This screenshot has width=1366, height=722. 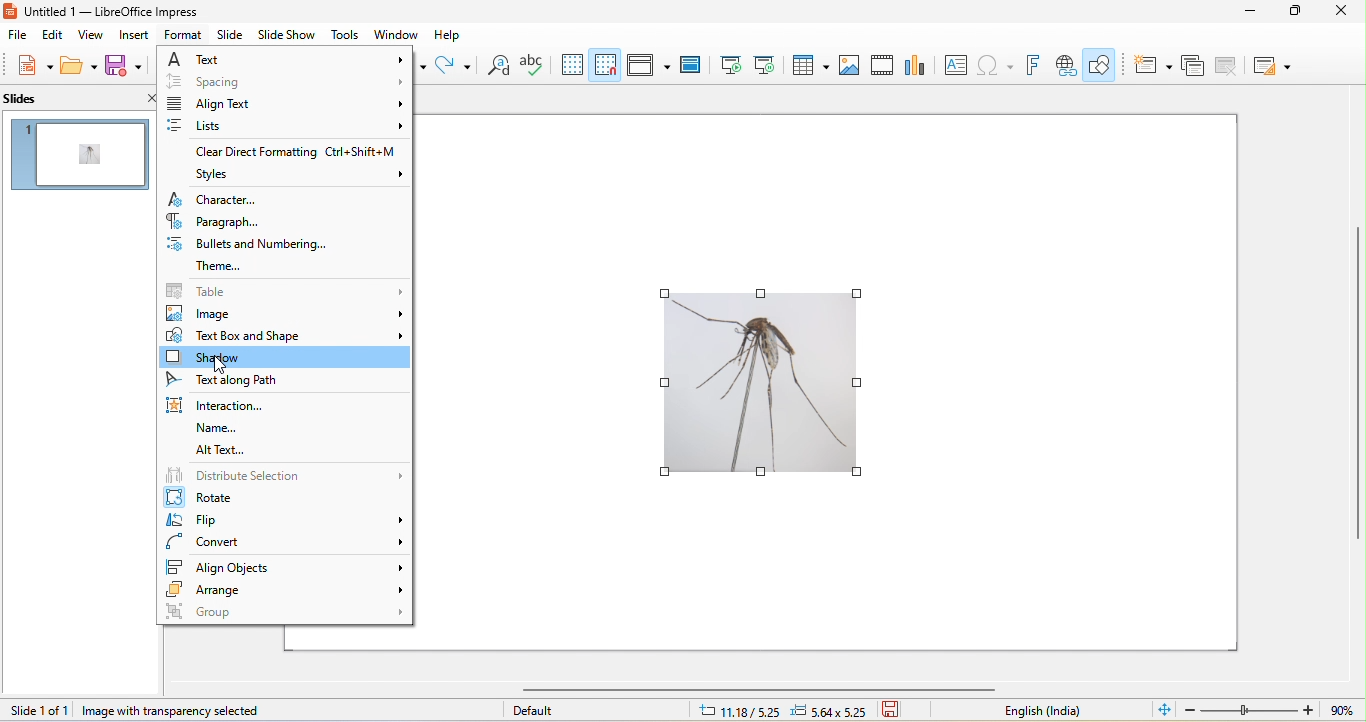 What do you see at coordinates (765, 64) in the screenshot?
I see `start from current` at bounding box center [765, 64].